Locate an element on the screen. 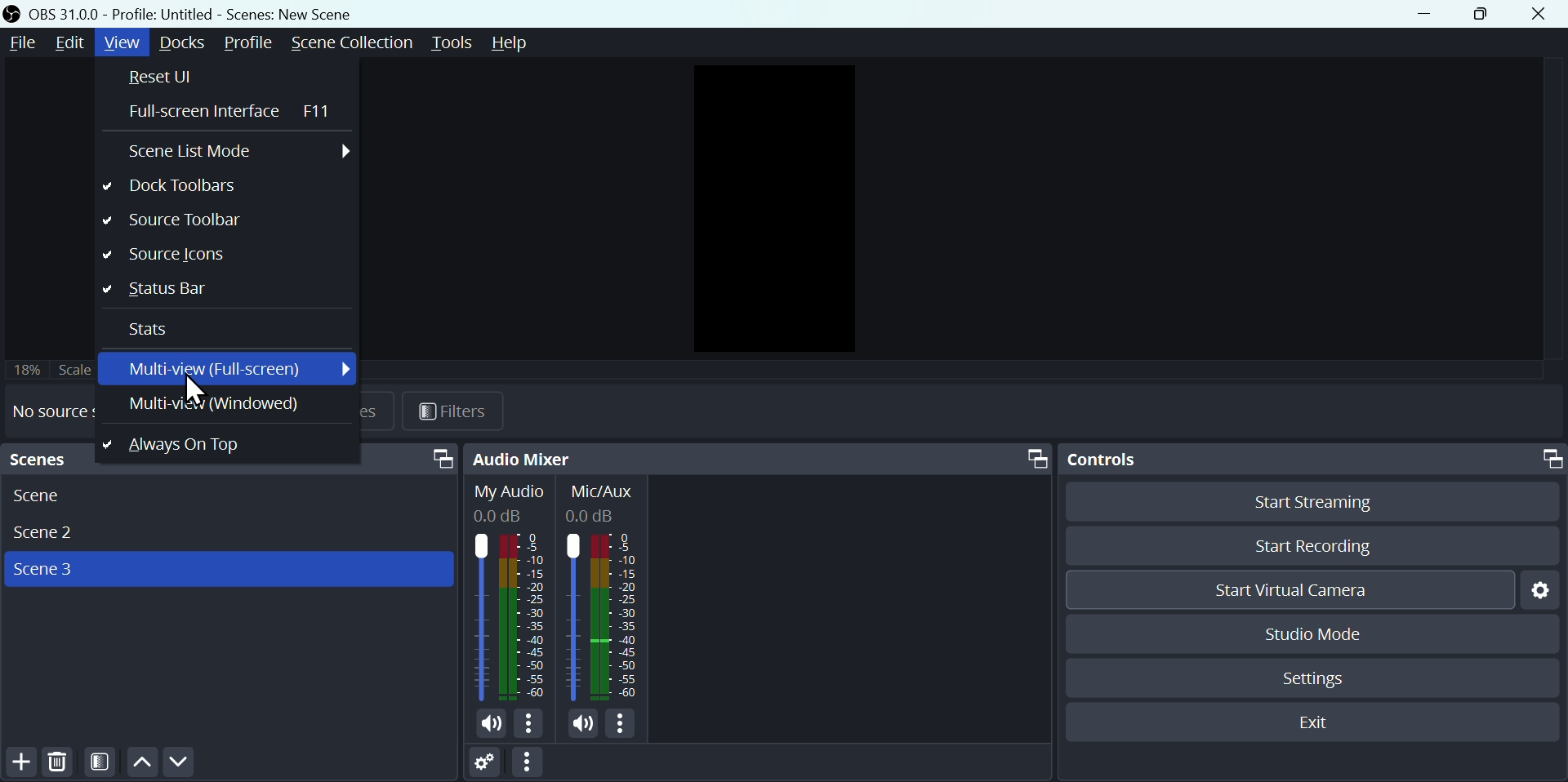 This screenshot has height=782, width=1568. (un)mute is located at coordinates (583, 724).